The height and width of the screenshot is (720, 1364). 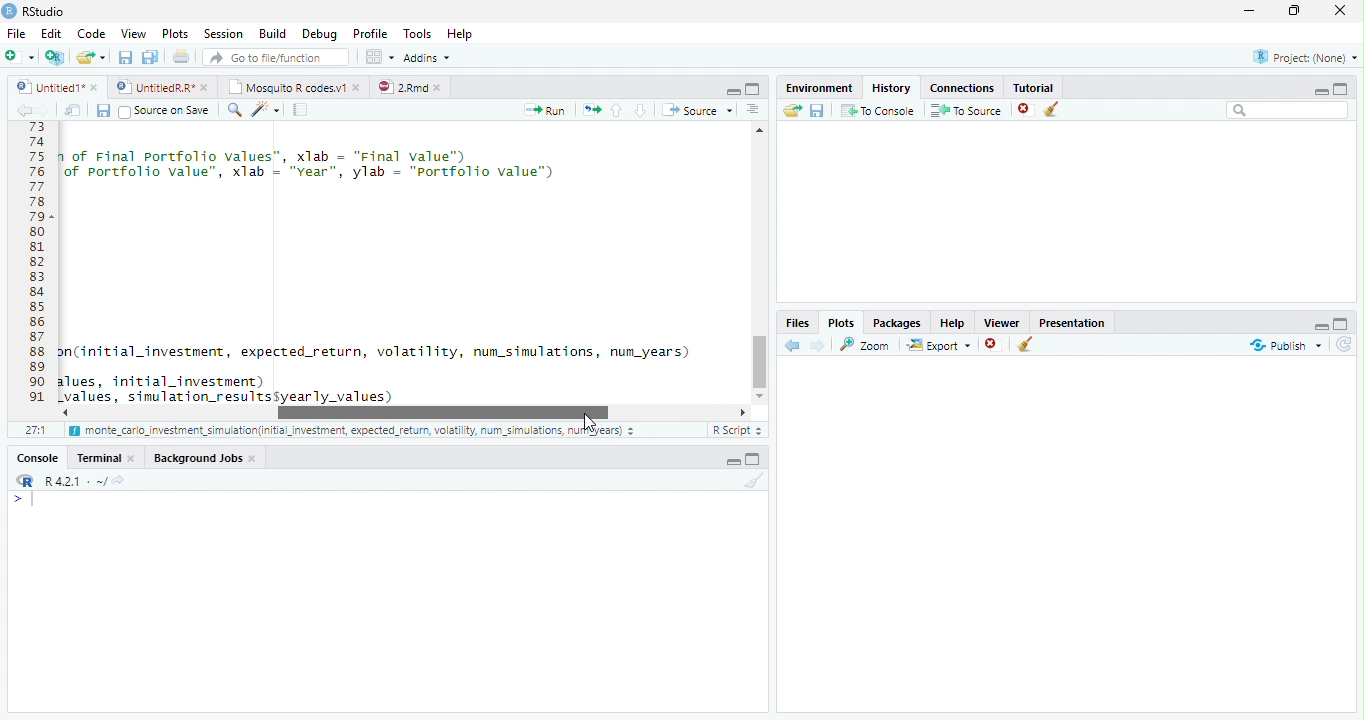 What do you see at coordinates (162, 87) in the screenshot?
I see `styedi® © © Untite` at bounding box center [162, 87].